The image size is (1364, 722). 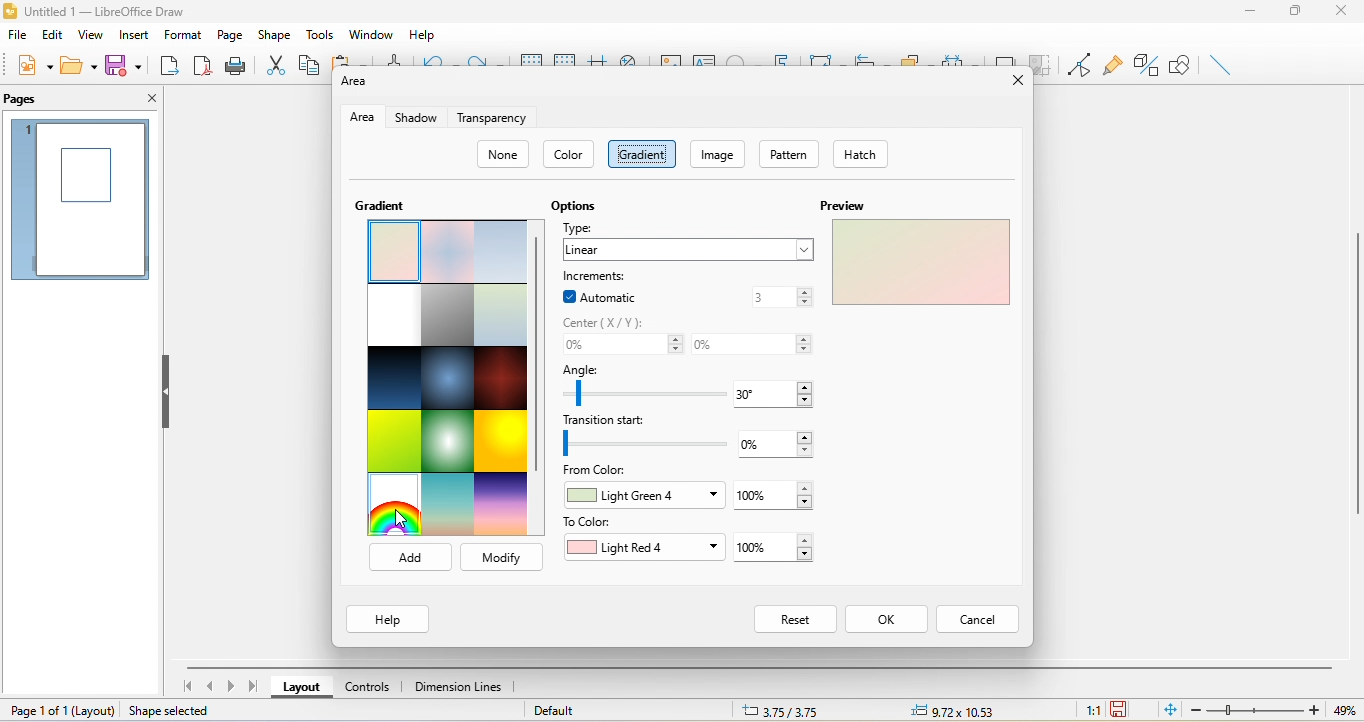 What do you see at coordinates (393, 316) in the screenshot?
I see `blank with grey` at bounding box center [393, 316].